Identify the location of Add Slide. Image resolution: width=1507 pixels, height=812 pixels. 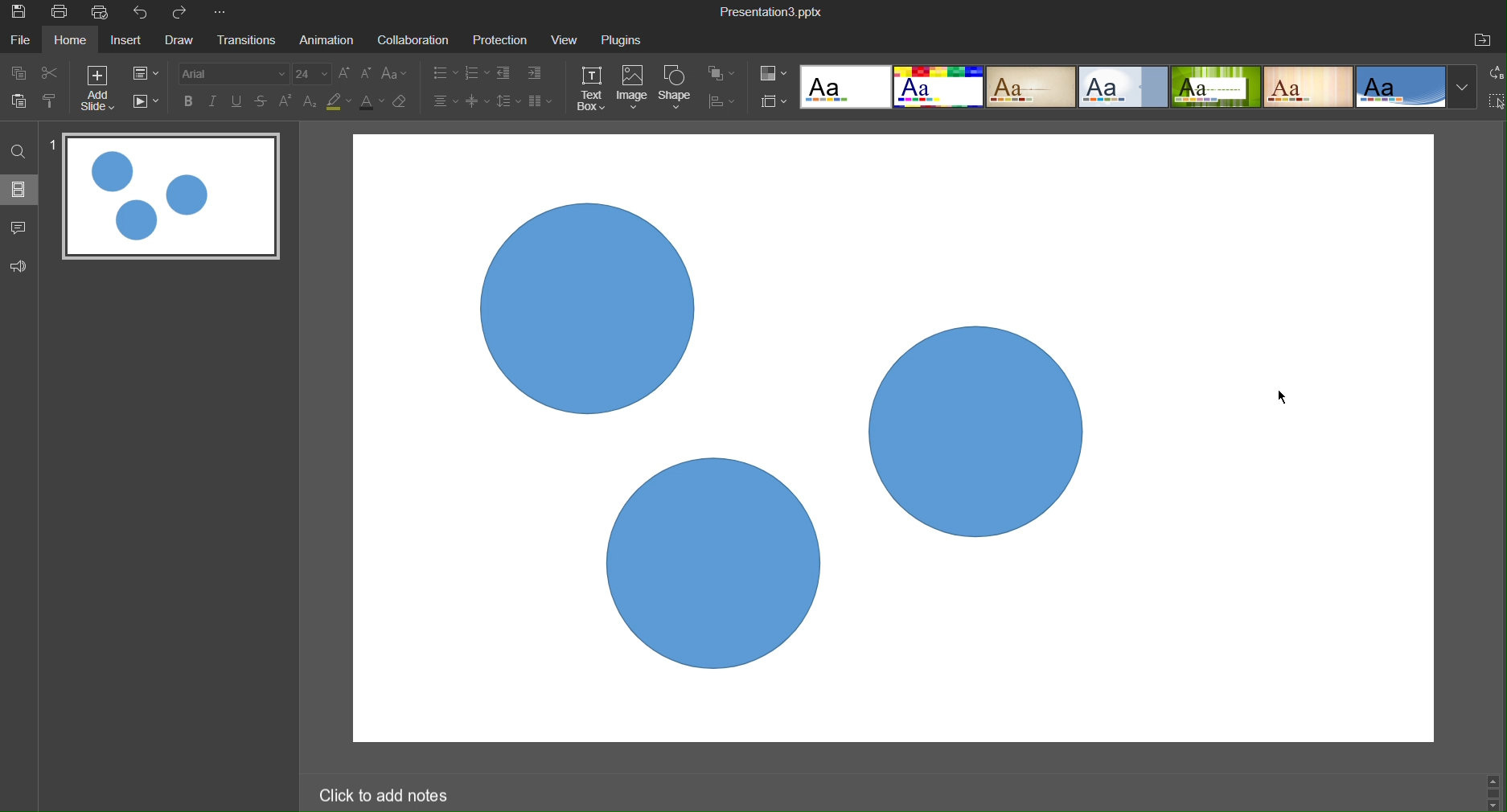
(105, 92).